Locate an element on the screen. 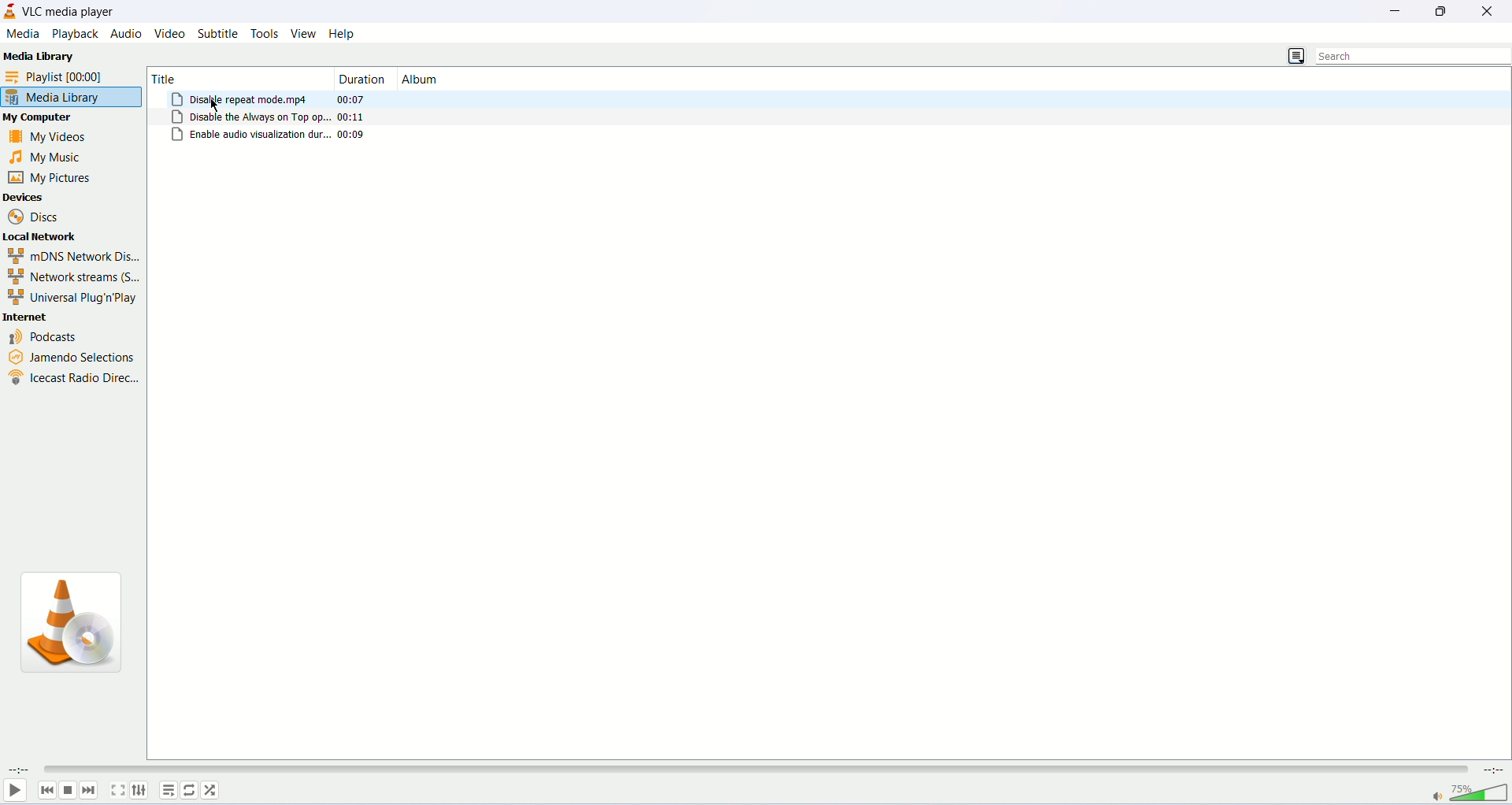  devices is located at coordinates (56, 196).